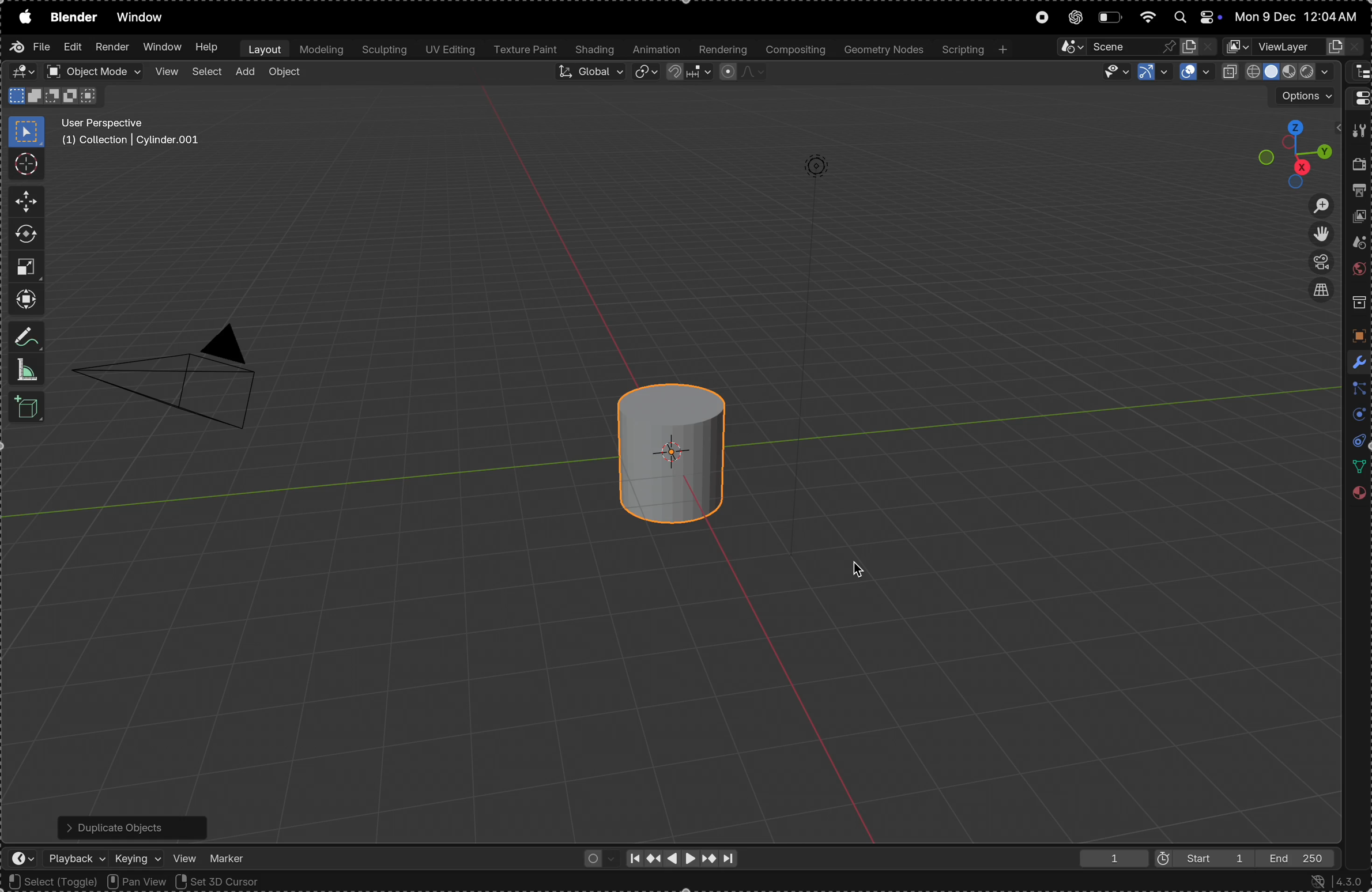 This screenshot has height=892, width=1372. What do you see at coordinates (1302, 98) in the screenshot?
I see `options` at bounding box center [1302, 98].